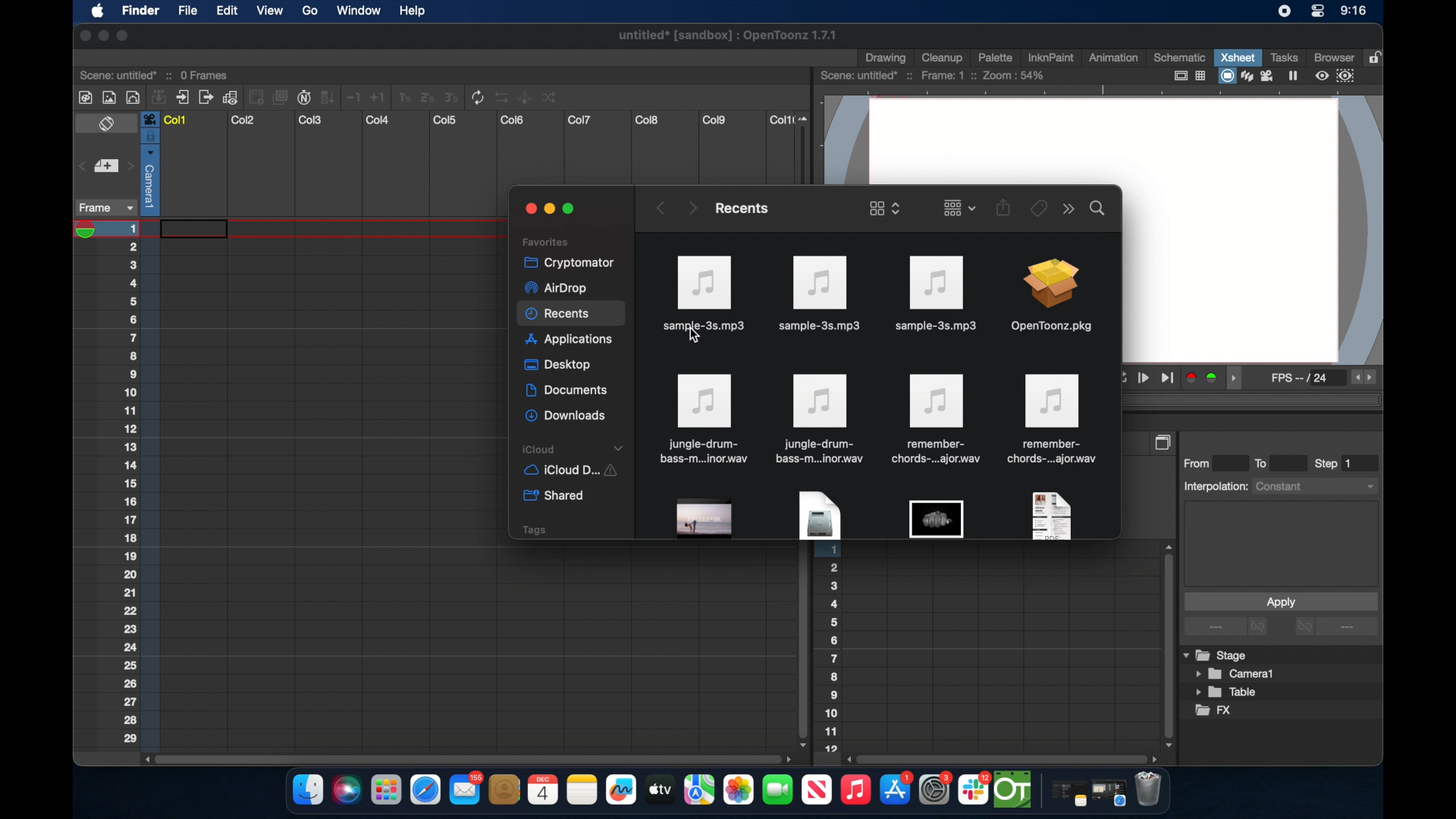  Describe the element at coordinates (738, 790) in the screenshot. I see `photos` at that location.